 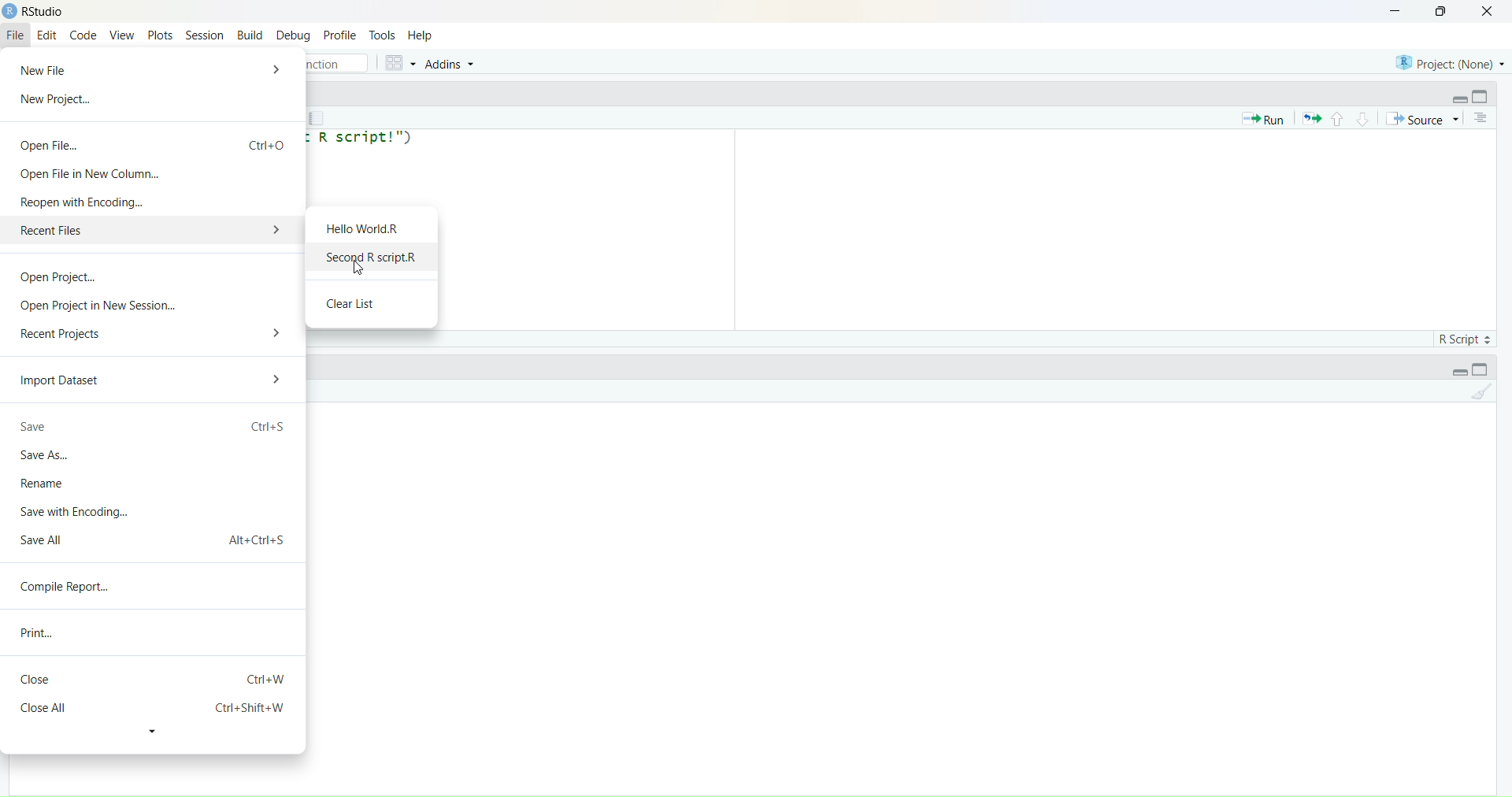 I want to click on Source the contents of the active document, so click(x=1422, y=120).